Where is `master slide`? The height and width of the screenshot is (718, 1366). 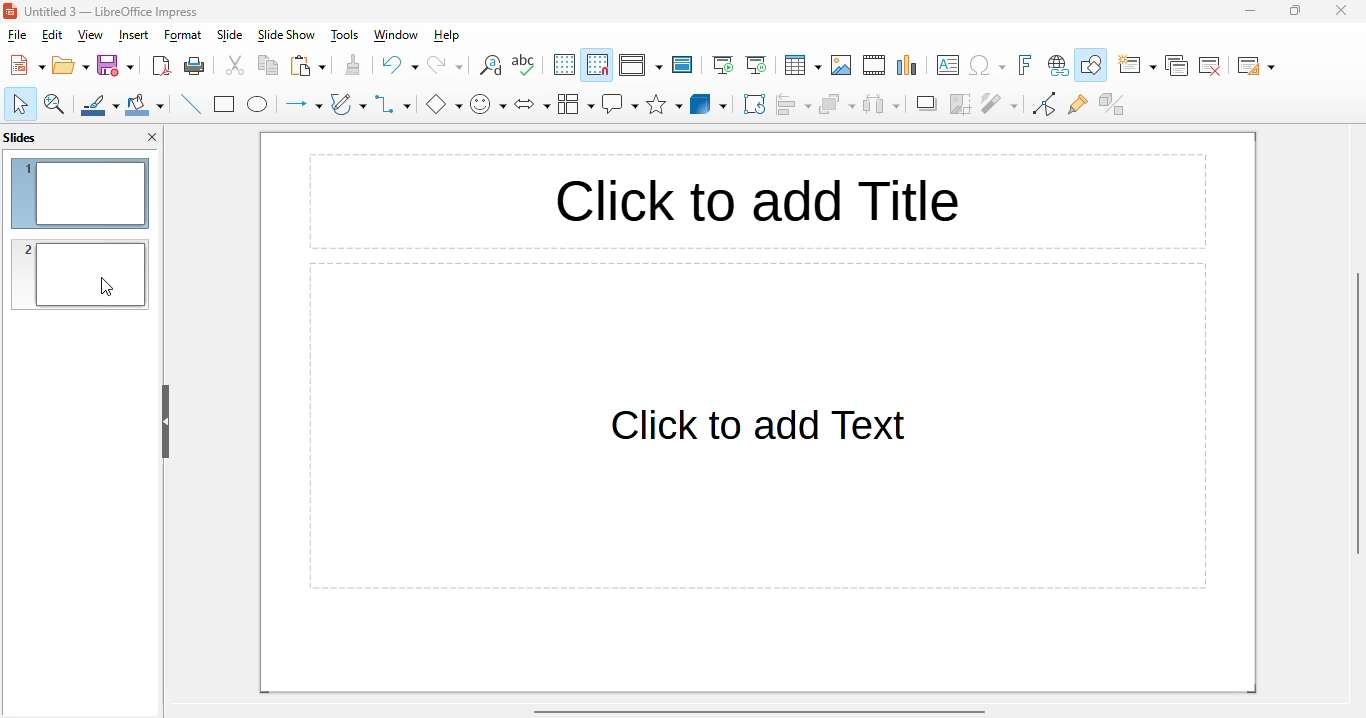 master slide is located at coordinates (682, 65).